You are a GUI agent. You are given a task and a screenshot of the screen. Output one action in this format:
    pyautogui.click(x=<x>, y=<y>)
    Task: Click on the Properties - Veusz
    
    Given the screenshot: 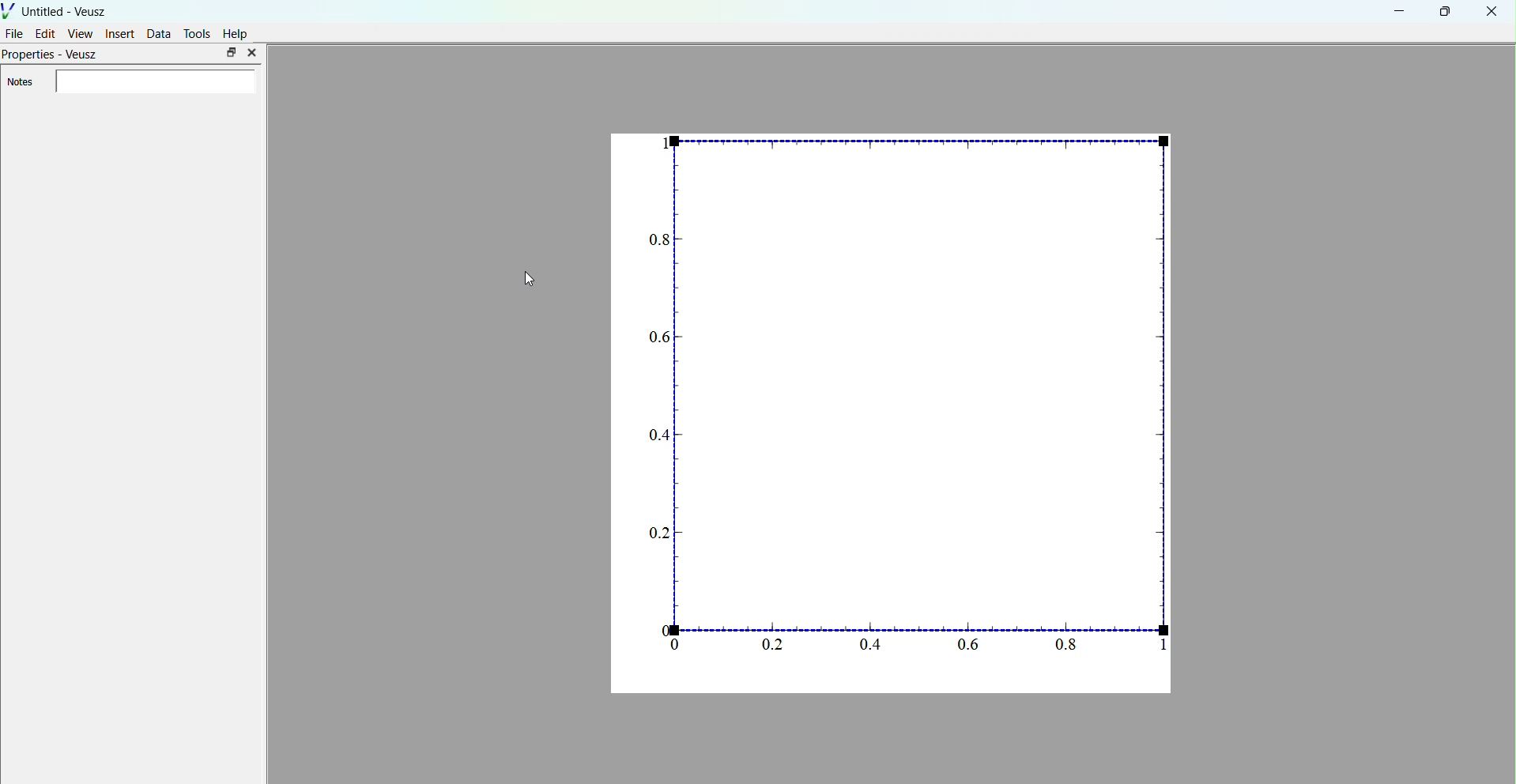 What is the action you would take?
    pyautogui.click(x=52, y=56)
    